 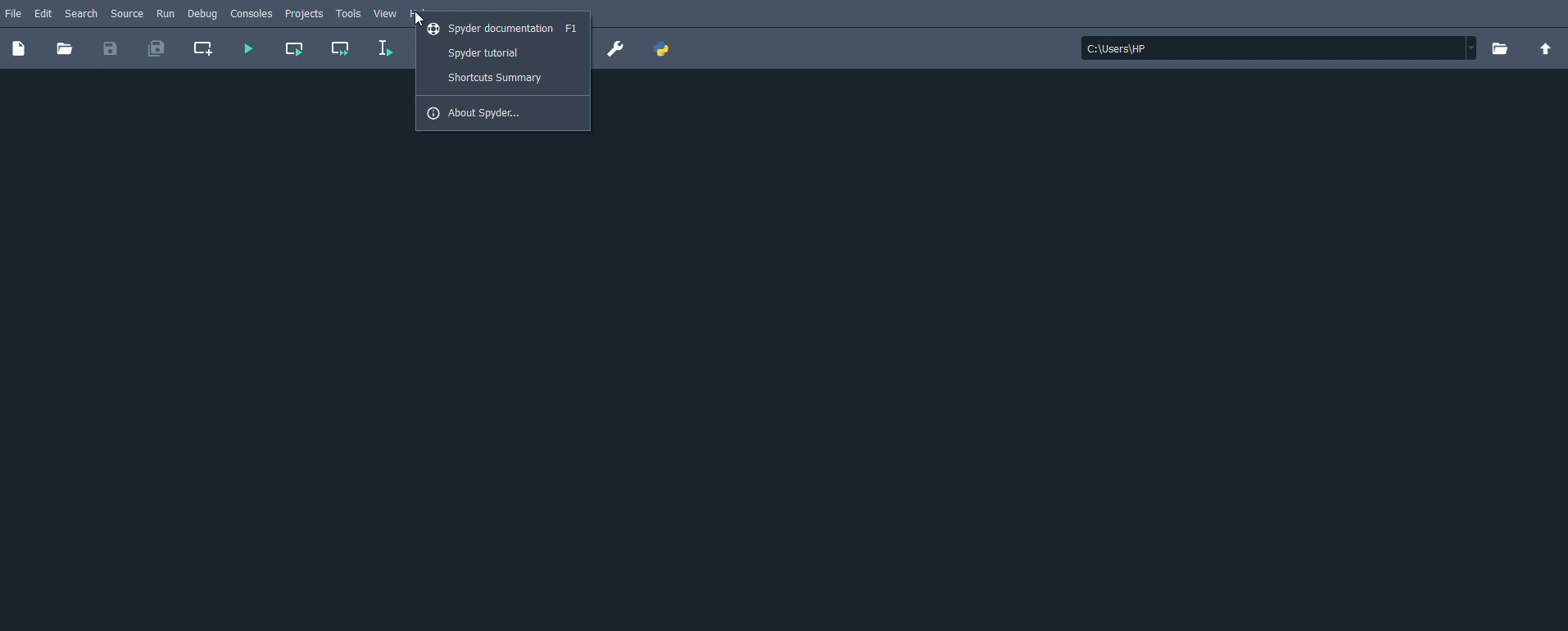 I want to click on Create new cell at the current line, so click(x=206, y=48).